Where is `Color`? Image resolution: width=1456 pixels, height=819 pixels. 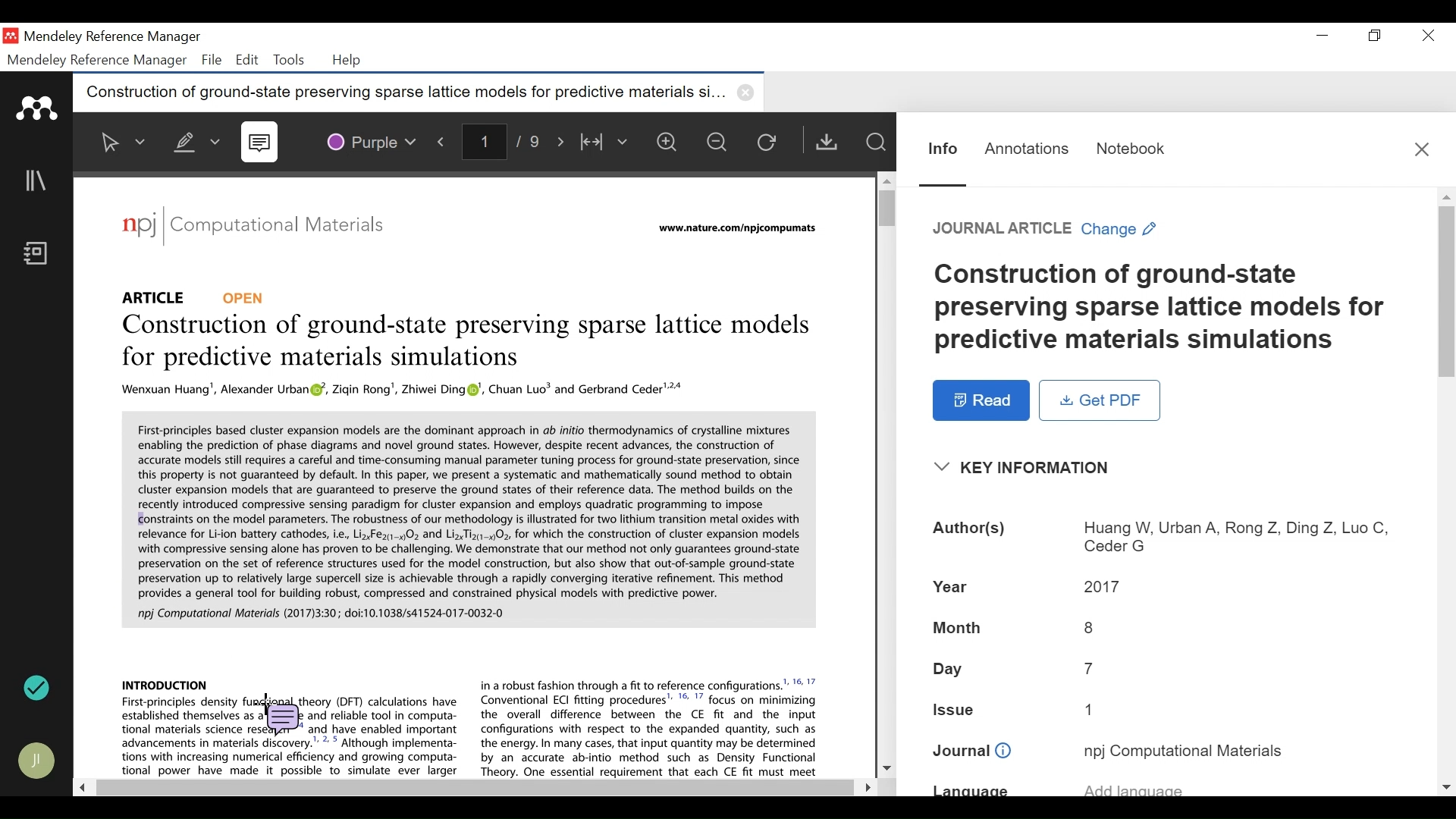 Color is located at coordinates (372, 140).